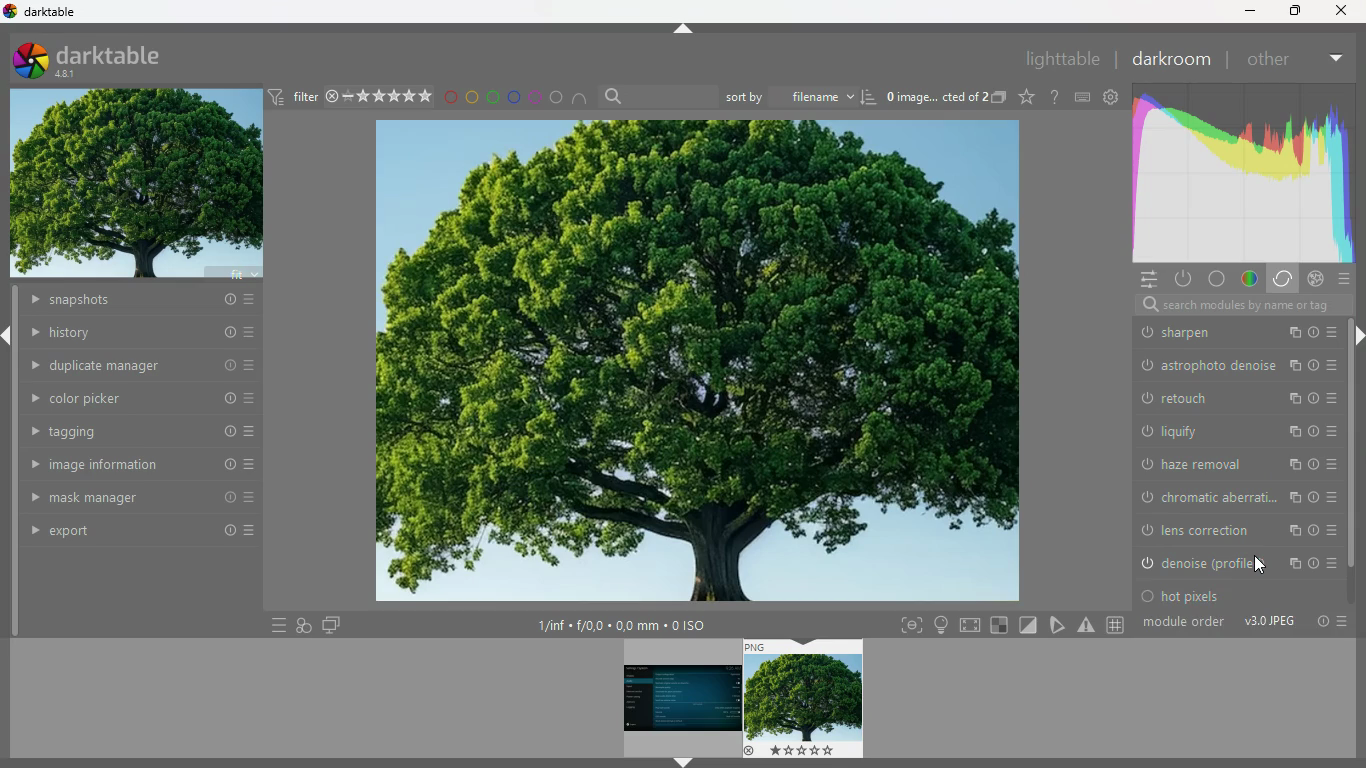 This screenshot has width=1366, height=768. What do you see at coordinates (1346, 11) in the screenshot?
I see `close` at bounding box center [1346, 11].